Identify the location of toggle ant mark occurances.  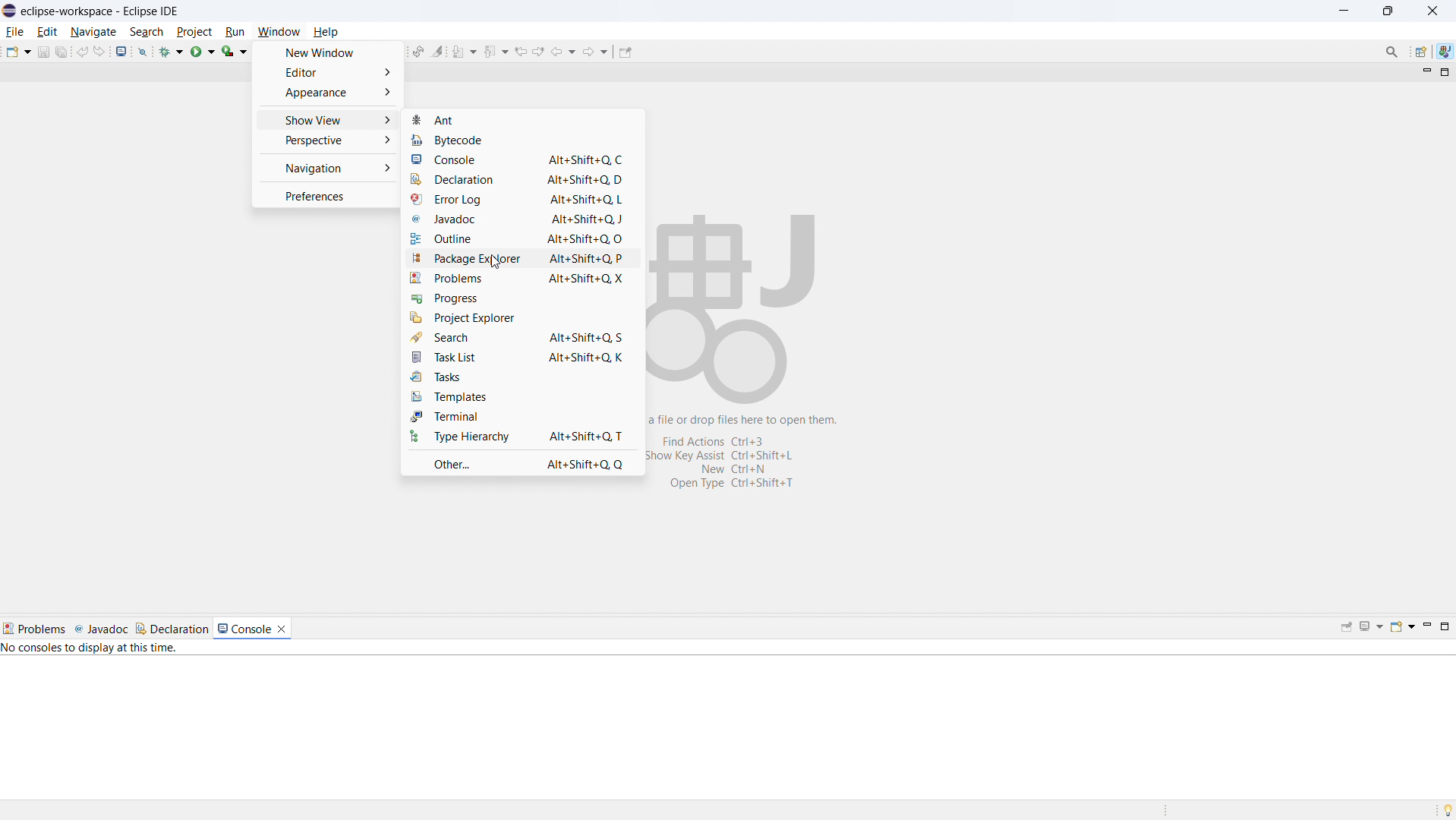
(438, 50).